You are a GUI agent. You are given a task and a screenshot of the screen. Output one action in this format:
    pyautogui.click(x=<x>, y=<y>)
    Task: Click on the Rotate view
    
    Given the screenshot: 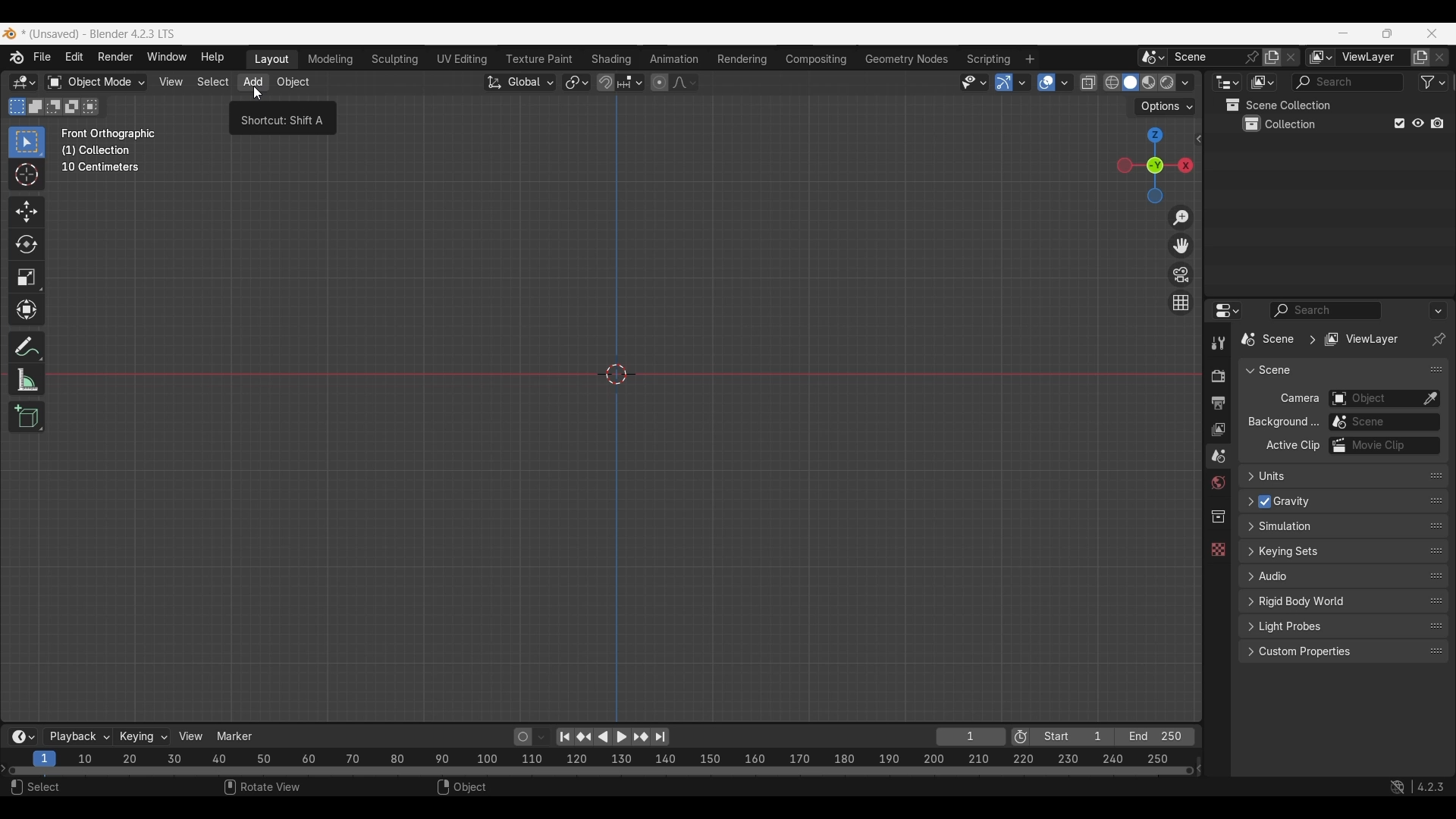 What is the action you would take?
    pyautogui.click(x=262, y=789)
    